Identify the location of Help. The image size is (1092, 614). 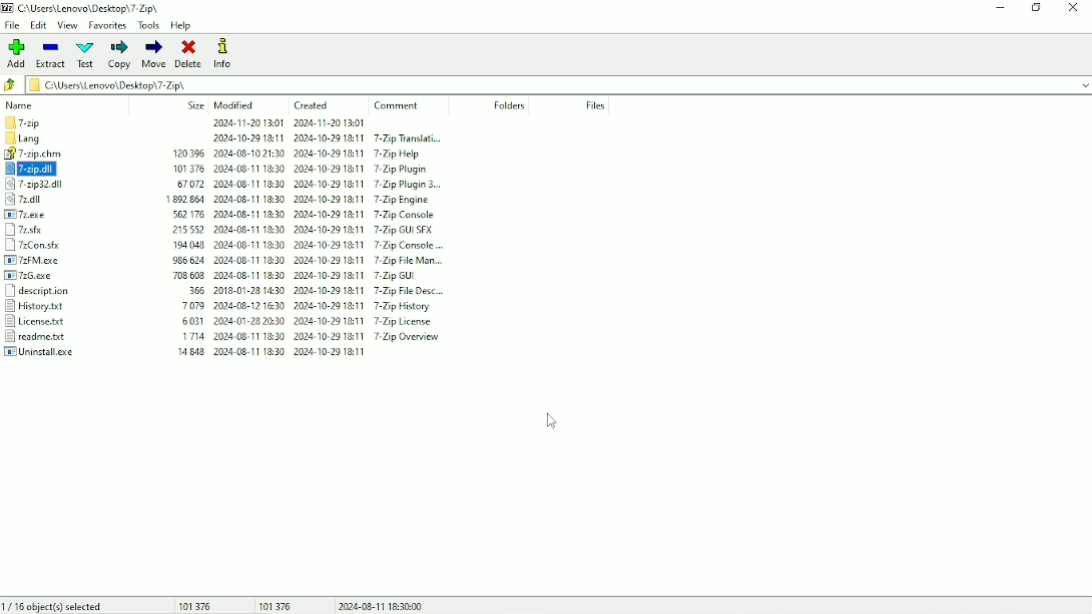
(182, 26).